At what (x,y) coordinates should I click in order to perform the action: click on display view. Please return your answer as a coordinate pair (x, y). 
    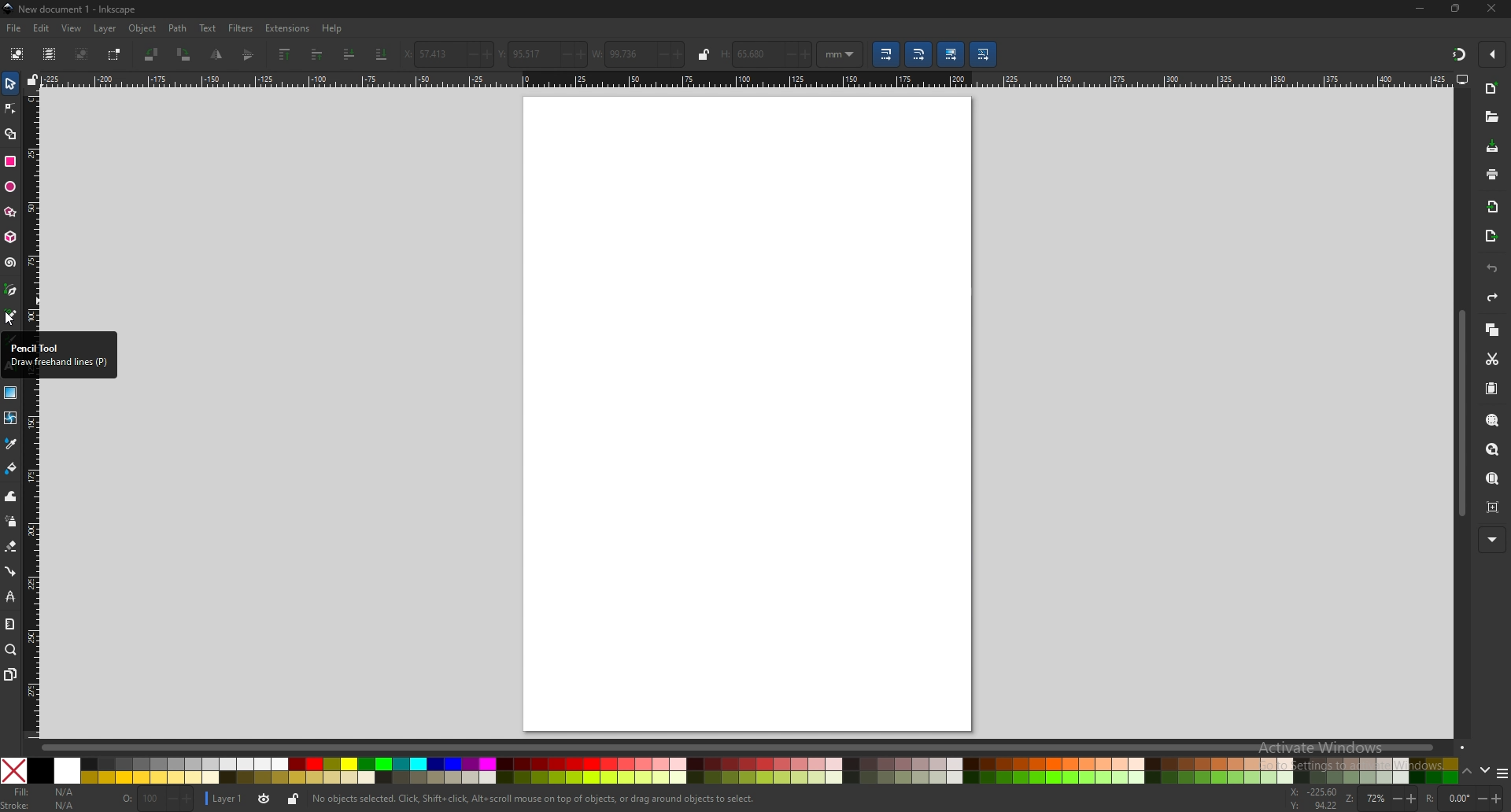
    Looking at the image, I should click on (1462, 79).